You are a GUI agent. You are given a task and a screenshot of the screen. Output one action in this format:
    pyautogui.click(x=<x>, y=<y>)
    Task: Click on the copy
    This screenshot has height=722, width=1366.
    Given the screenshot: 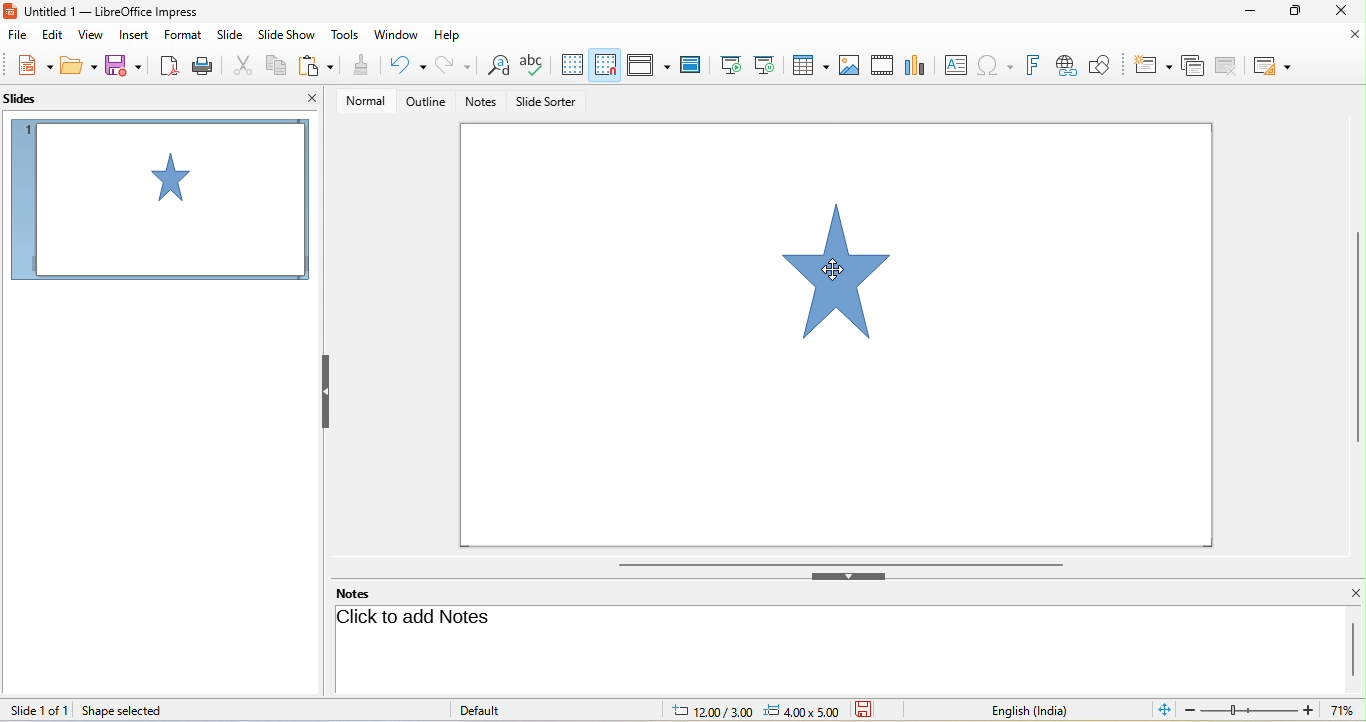 What is the action you would take?
    pyautogui.click(x=279, y=65)
    